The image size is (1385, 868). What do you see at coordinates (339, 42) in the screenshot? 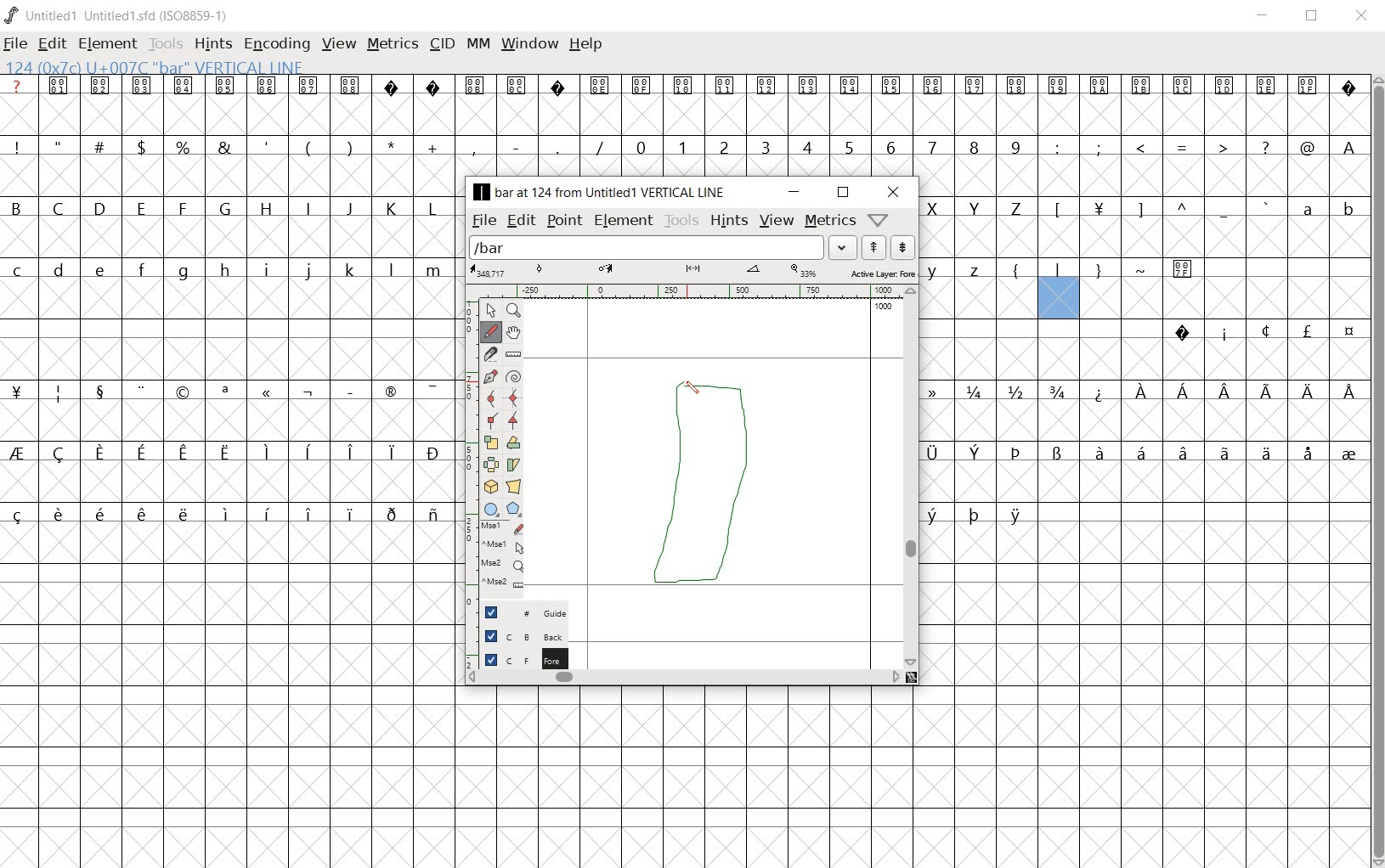
I see `view` at bounding box center [339, 42].